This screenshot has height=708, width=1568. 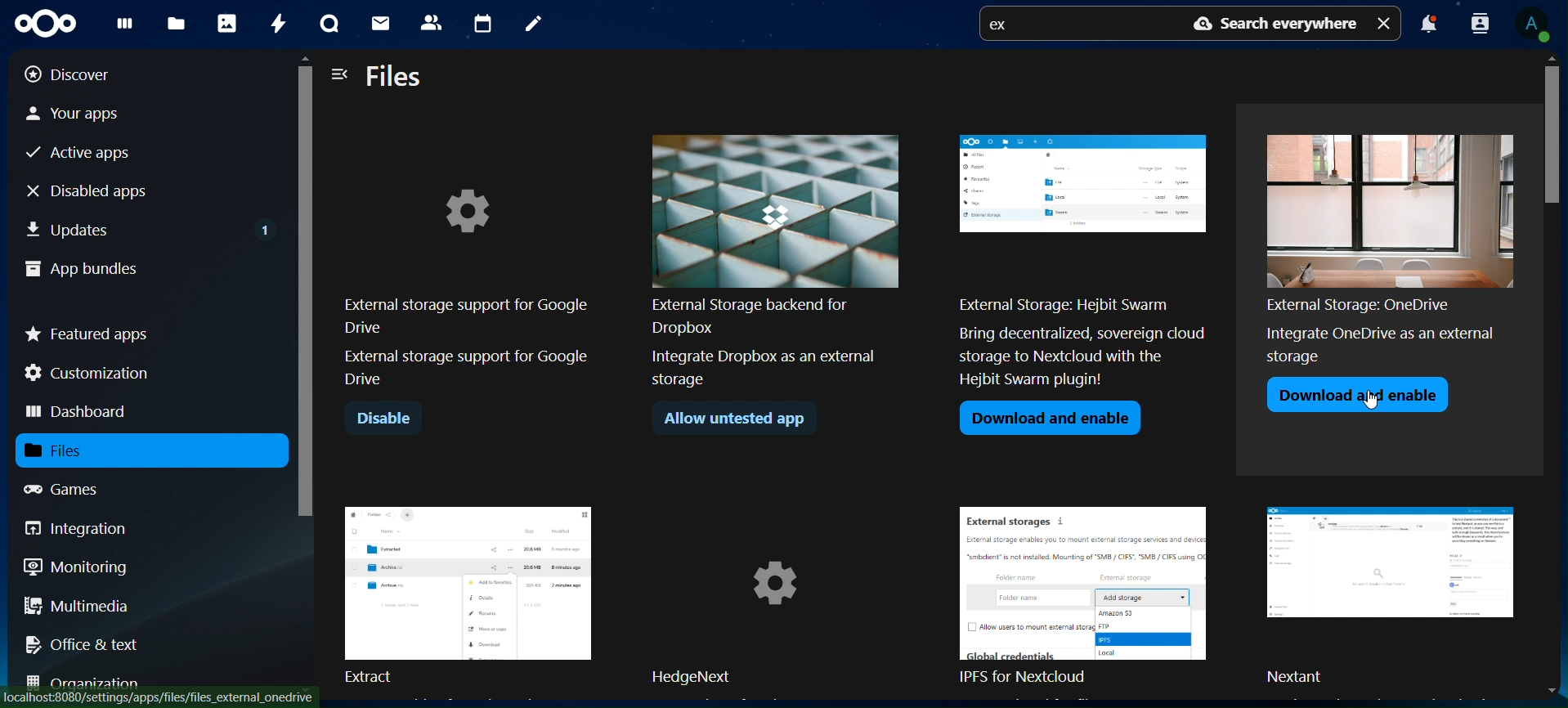 What do you see at coordinates (87, 643) in the screenshot?
I see `office & text` at bounding box center [87, 643].